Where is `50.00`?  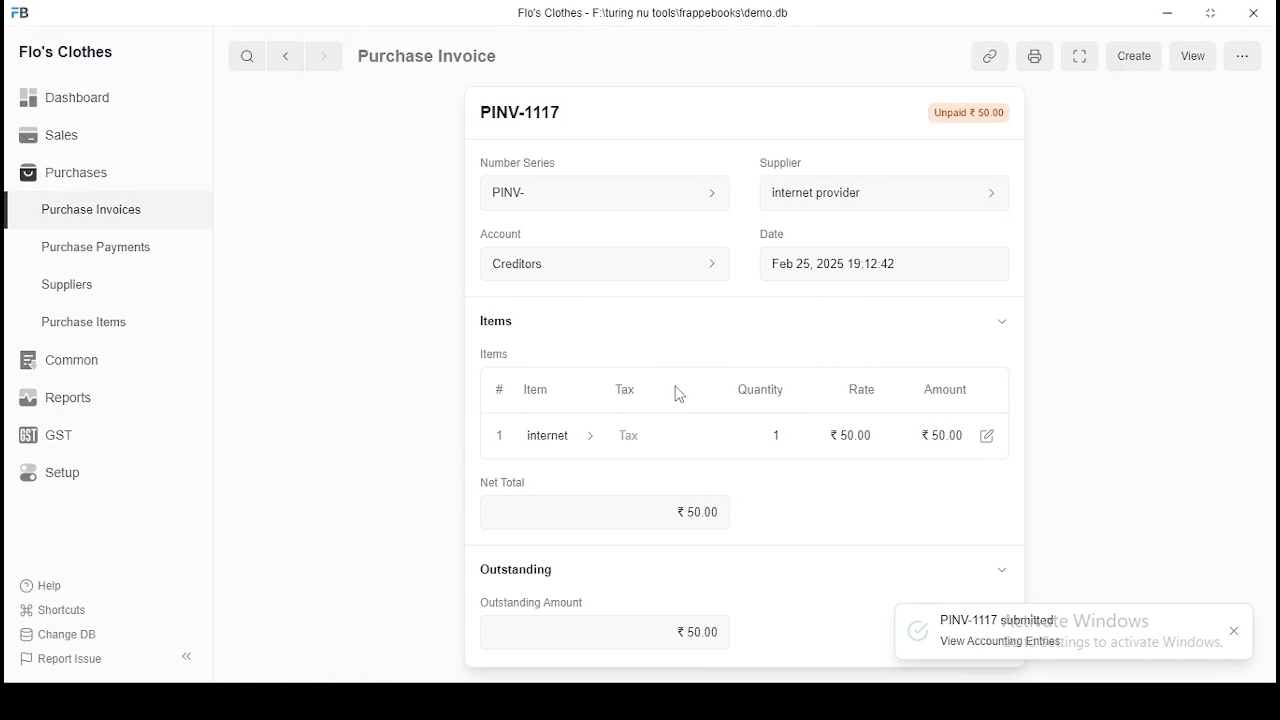
50.00 is located at coordinates (850, 434).